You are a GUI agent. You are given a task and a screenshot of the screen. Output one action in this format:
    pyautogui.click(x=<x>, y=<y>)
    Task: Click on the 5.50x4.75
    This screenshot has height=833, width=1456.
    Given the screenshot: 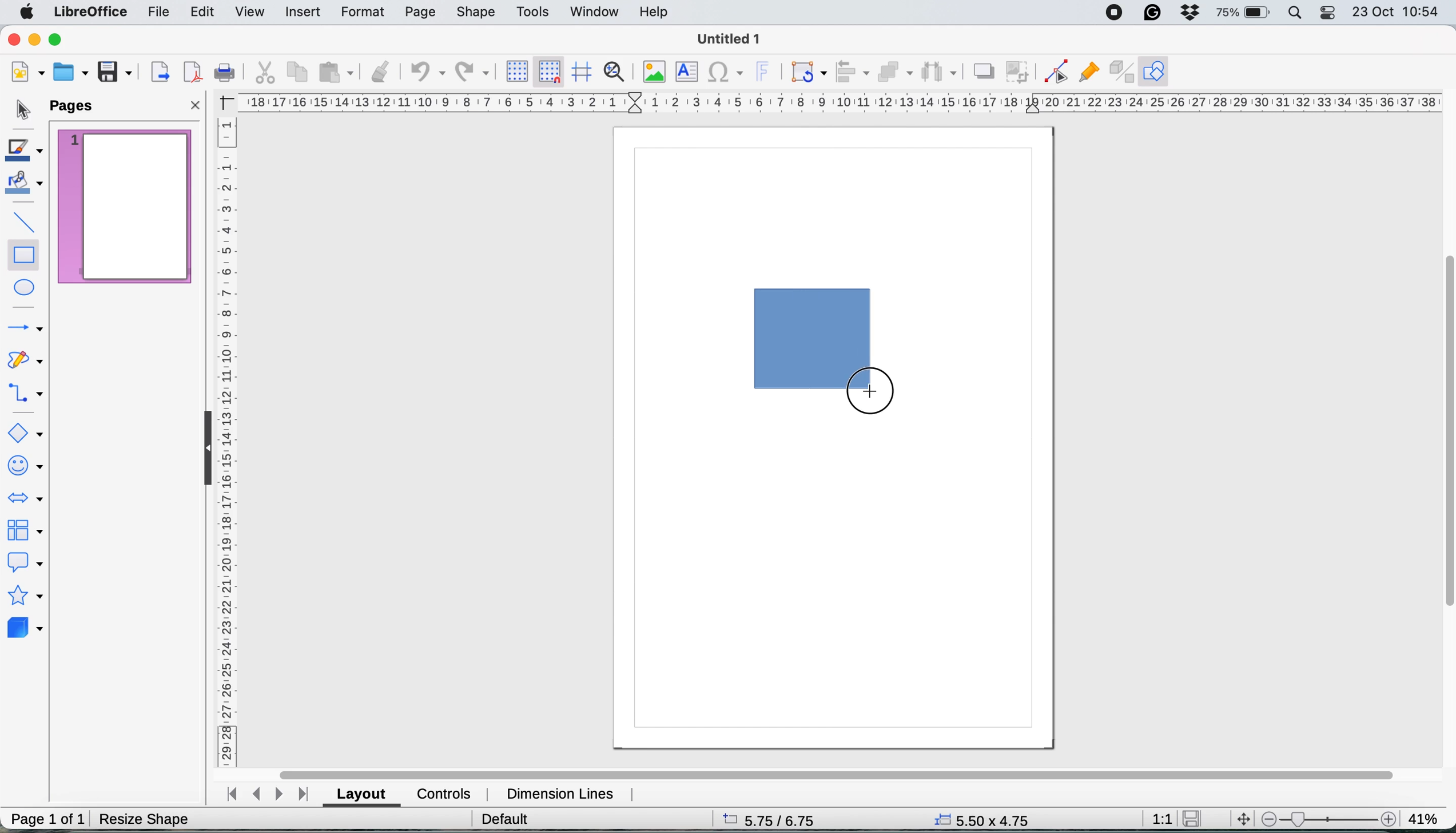 What is the action you would take?
    pyautogui.click(x=982, y=818)
    